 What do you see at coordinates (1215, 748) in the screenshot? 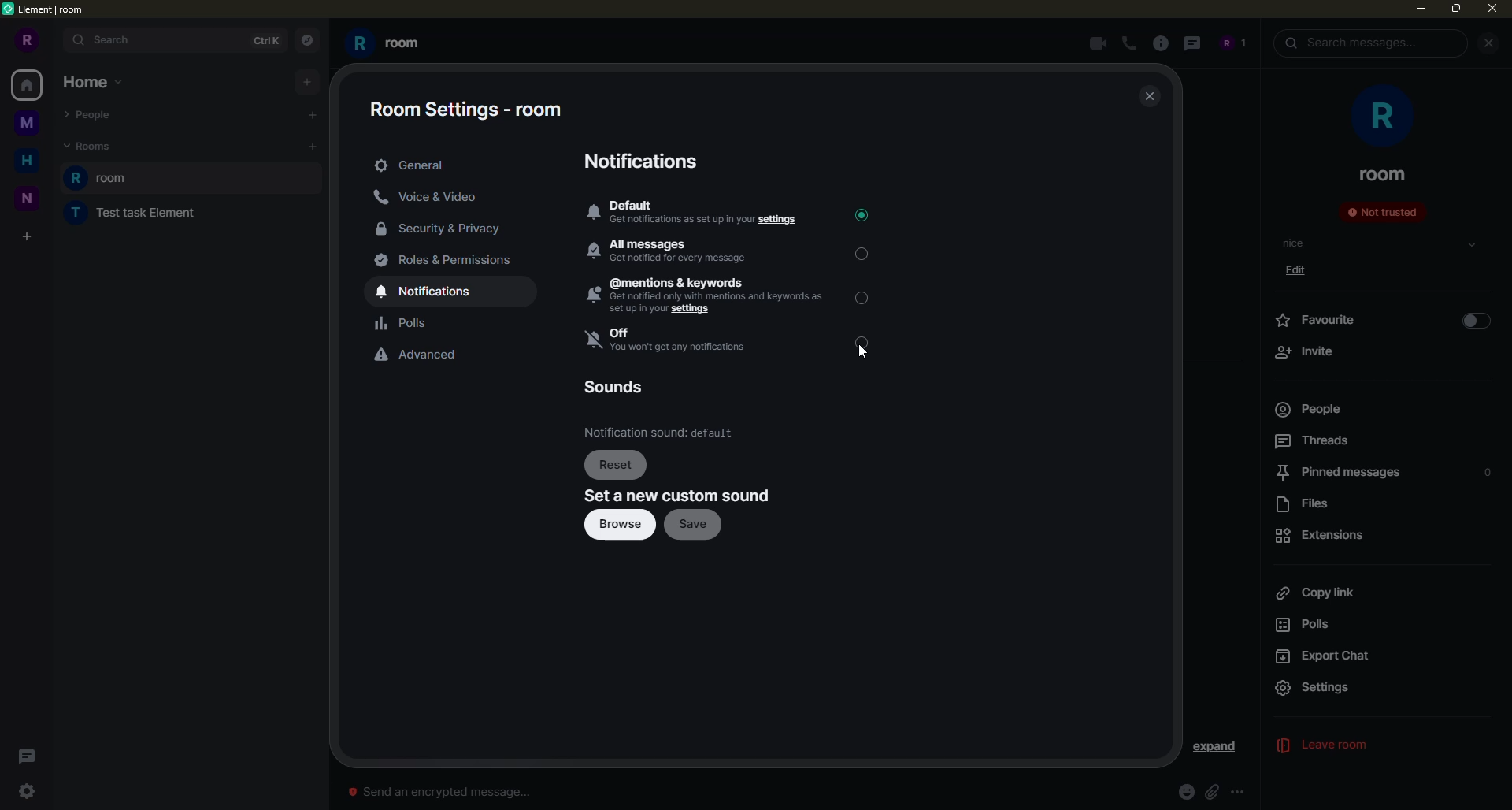
I see `expand` at bounding box center [1215, 748].